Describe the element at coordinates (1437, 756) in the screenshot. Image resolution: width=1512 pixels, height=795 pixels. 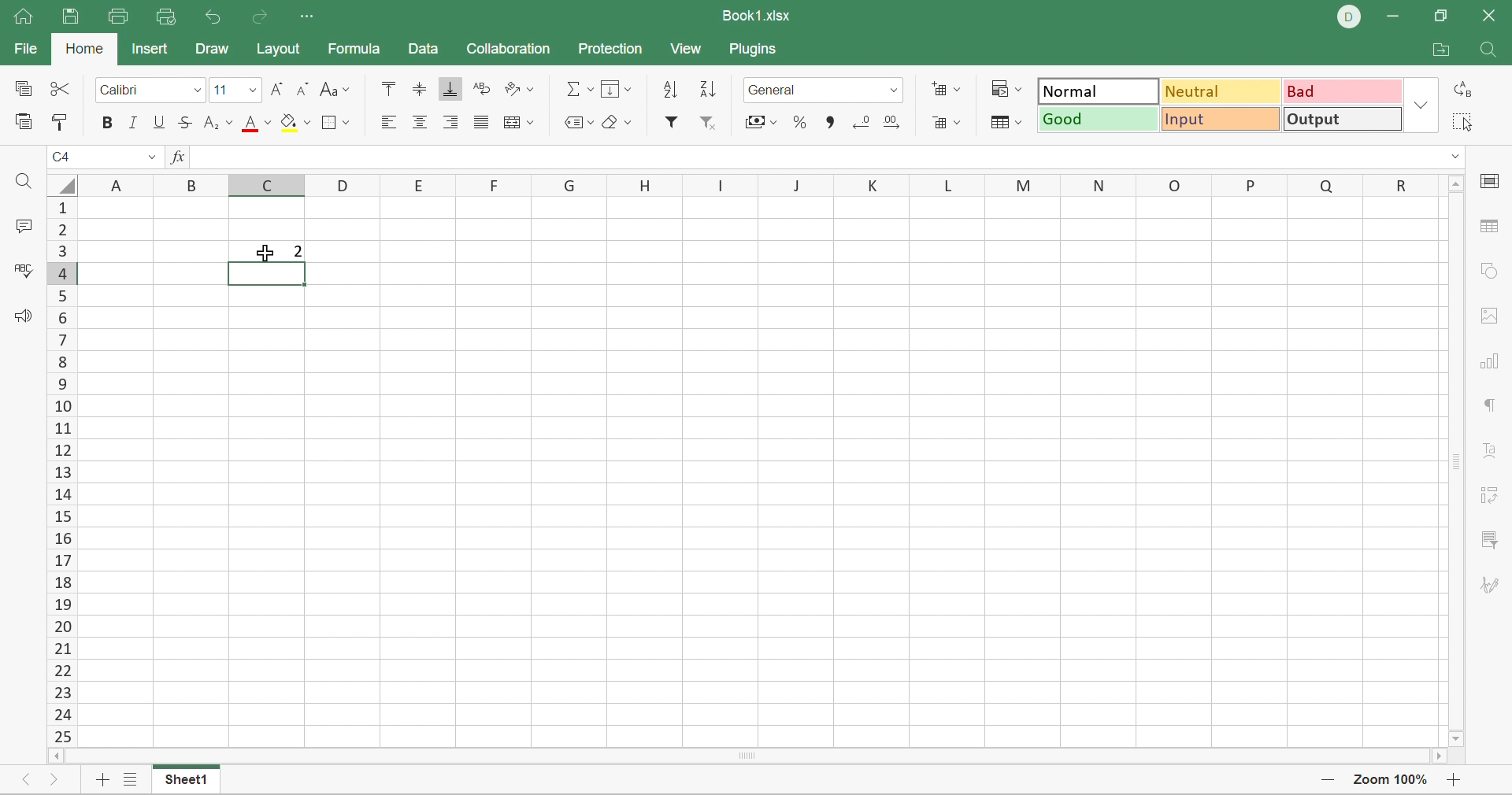
I see `Scroll Right` at that location.